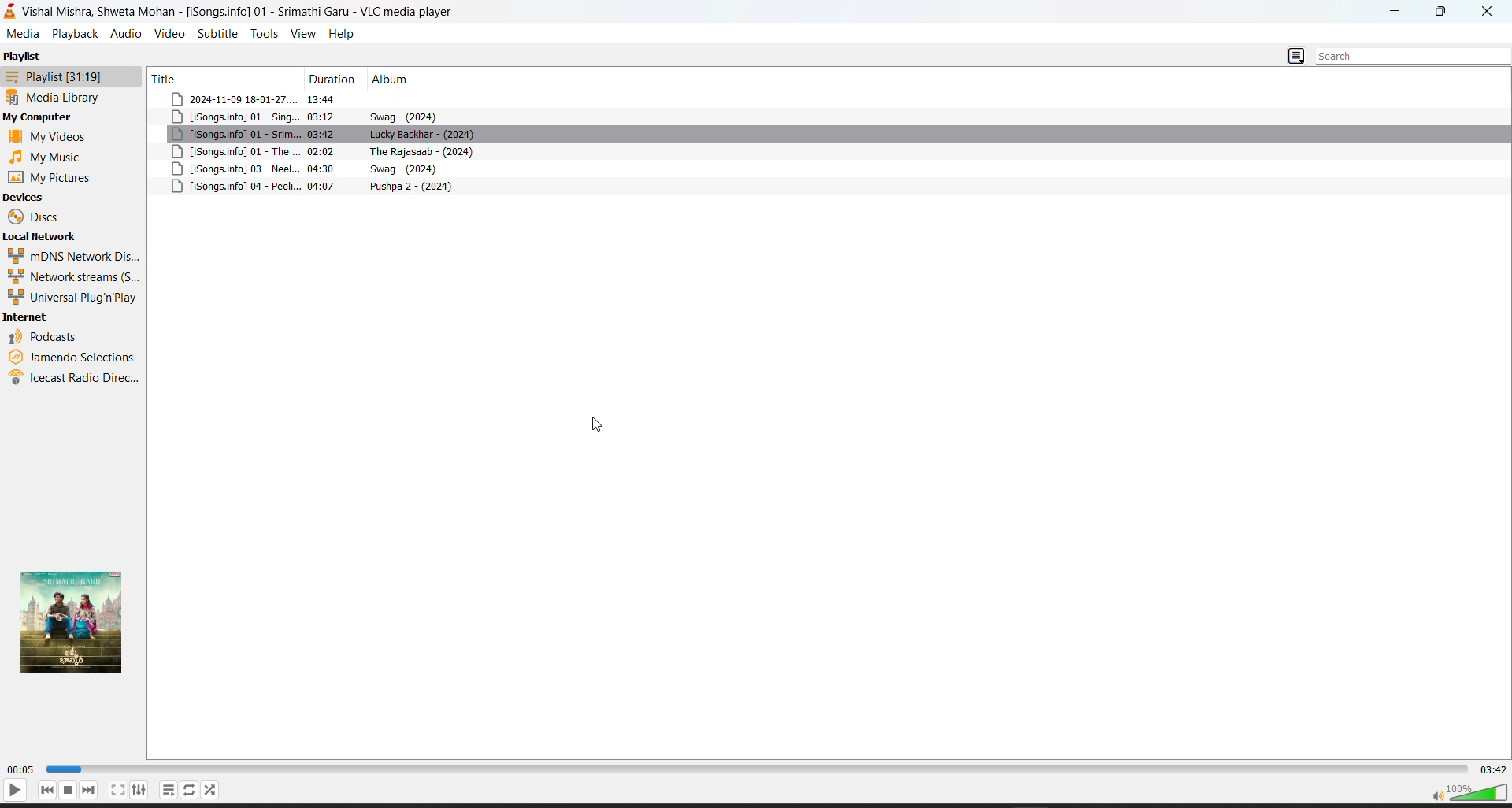  Describe the element at coordinates (22, 35) in the screenshot. I see `media` at that location.